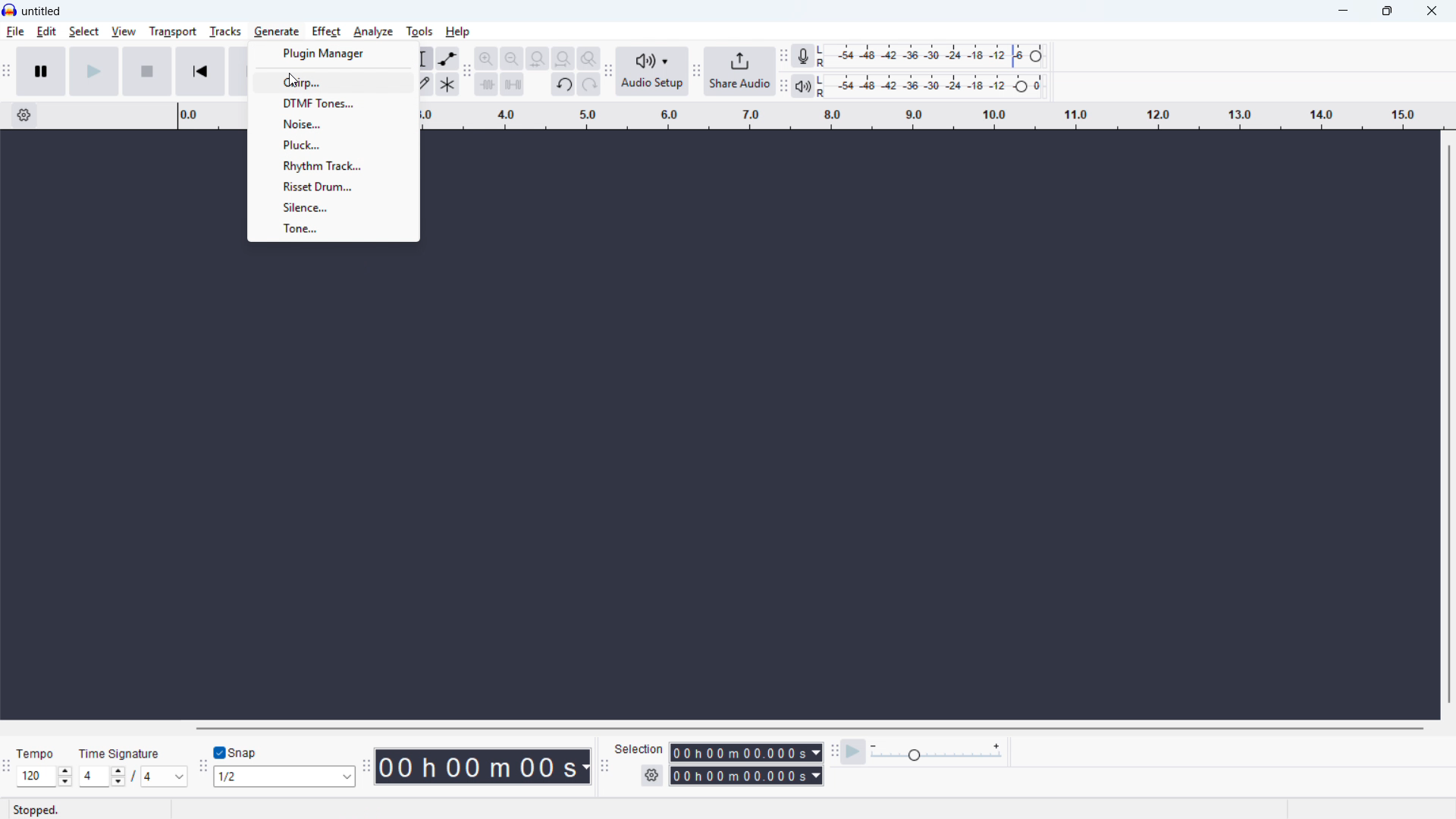 The width and height of the screenshot is (1456, 819). What do you see at coordinates (334, 103) in the screenshot?
I see `DTMF tones ` at bounding box center [334, 103].